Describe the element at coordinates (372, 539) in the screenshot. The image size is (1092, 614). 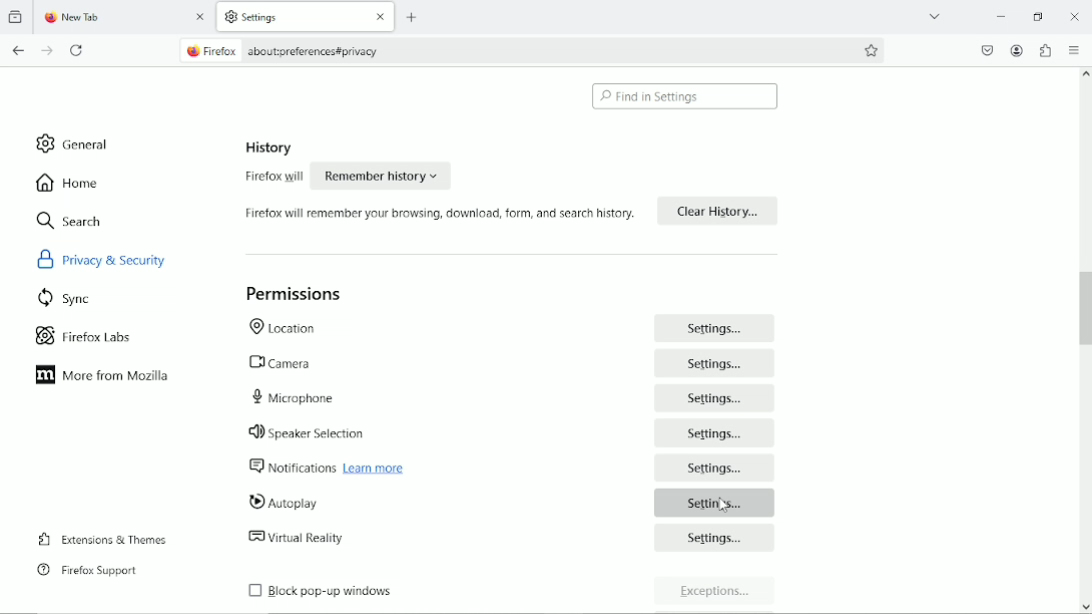
I see `virtual reality` at that location.